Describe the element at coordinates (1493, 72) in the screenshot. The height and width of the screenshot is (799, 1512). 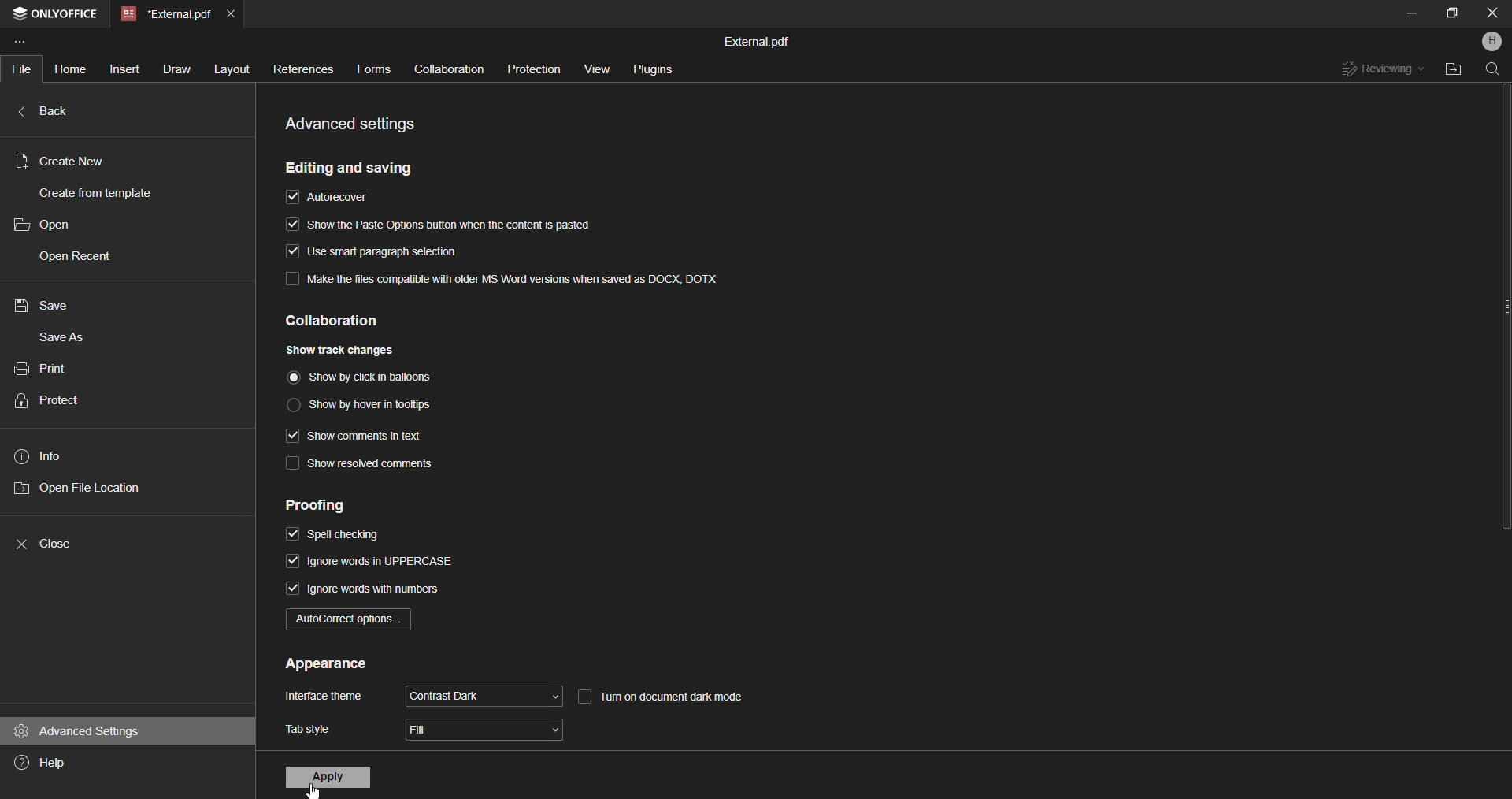
I see `Find` at that location.